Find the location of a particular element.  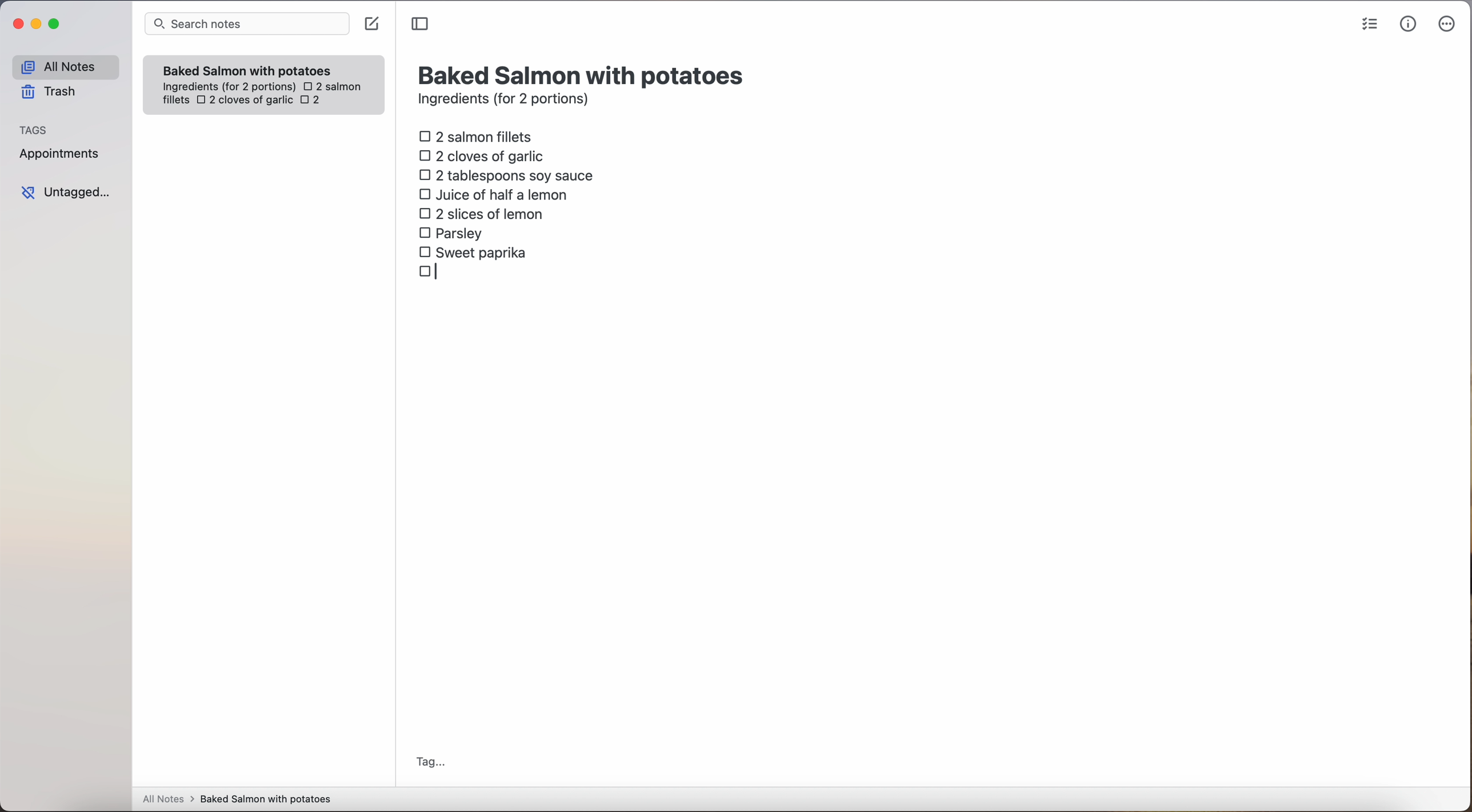

2 slices of lemon is located at coordinates (482, 214).